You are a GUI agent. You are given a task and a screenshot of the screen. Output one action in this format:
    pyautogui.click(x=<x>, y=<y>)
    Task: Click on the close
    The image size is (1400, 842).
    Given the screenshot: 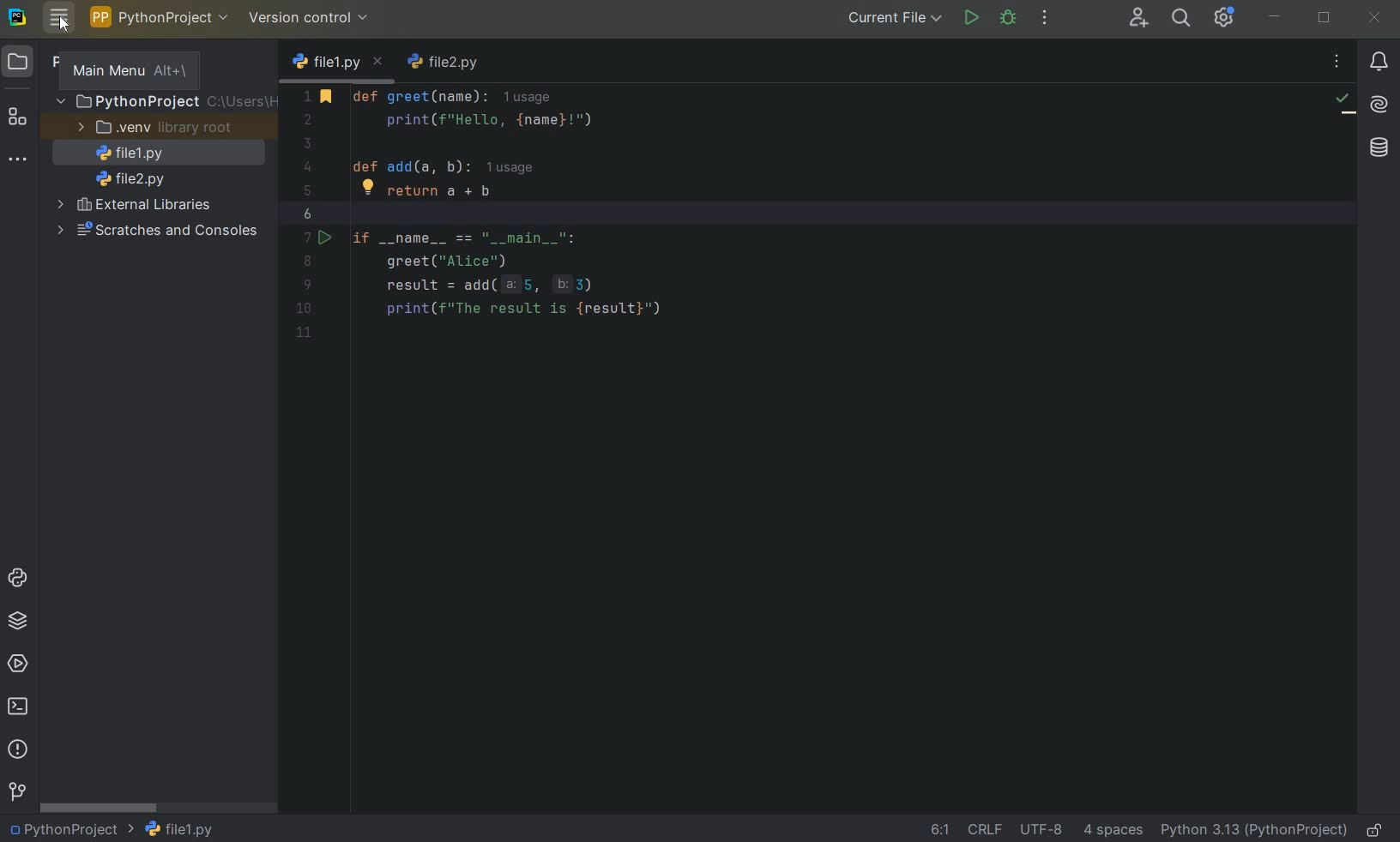 What is the action you would take?
    pyautogui.click(x=1377, y=18)
    